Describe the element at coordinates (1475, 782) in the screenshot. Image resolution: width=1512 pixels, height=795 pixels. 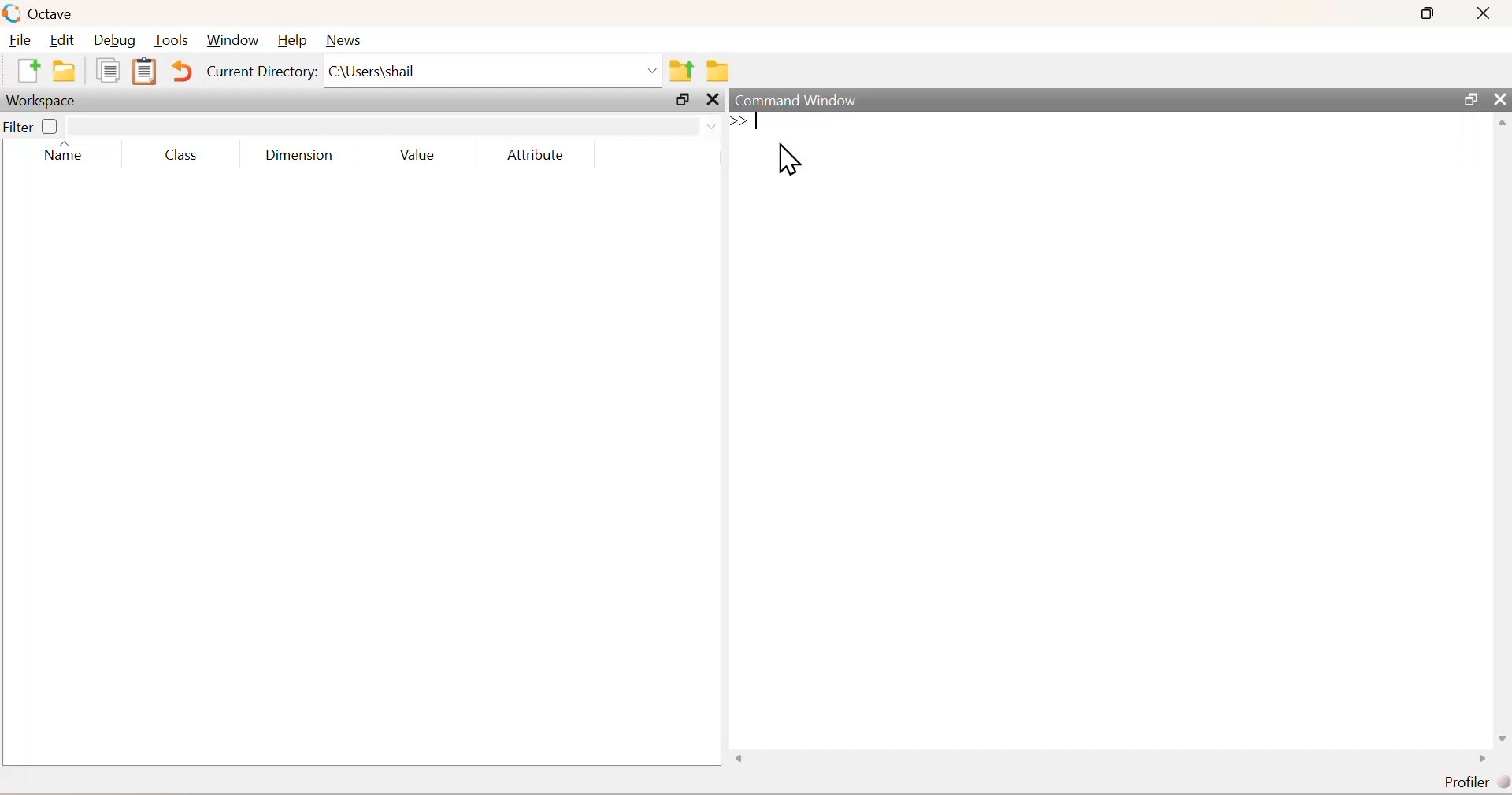
I see `Profiler` at that location.